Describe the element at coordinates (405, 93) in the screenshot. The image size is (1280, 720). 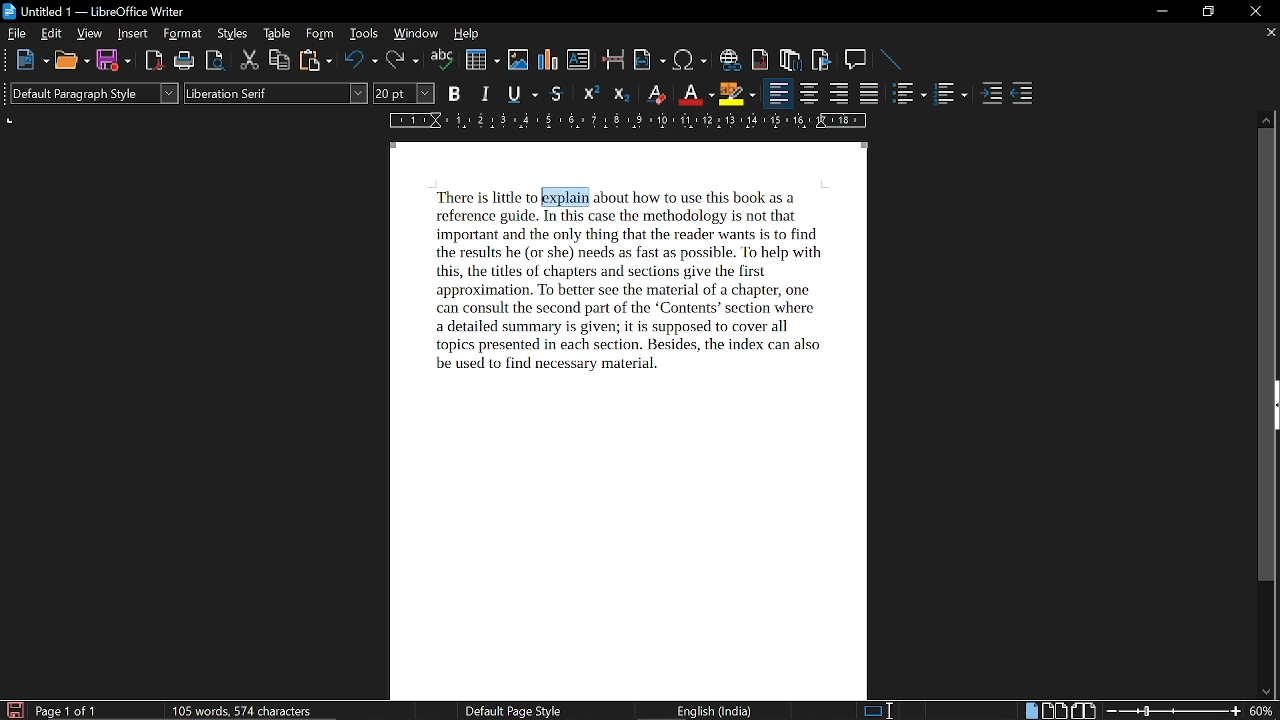
I see `font size` at that location.